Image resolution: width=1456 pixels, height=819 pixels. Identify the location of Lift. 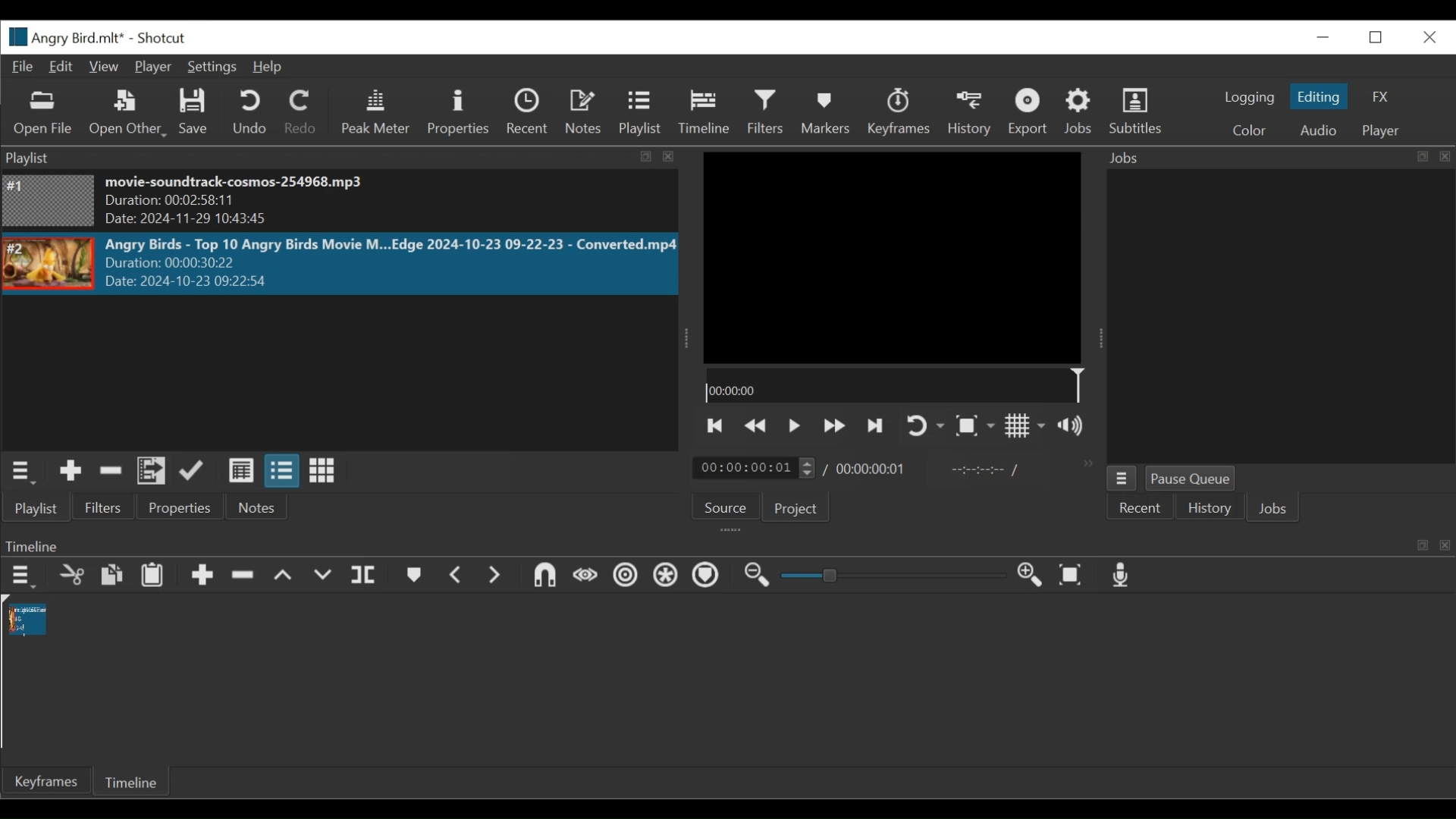
(285, 576).